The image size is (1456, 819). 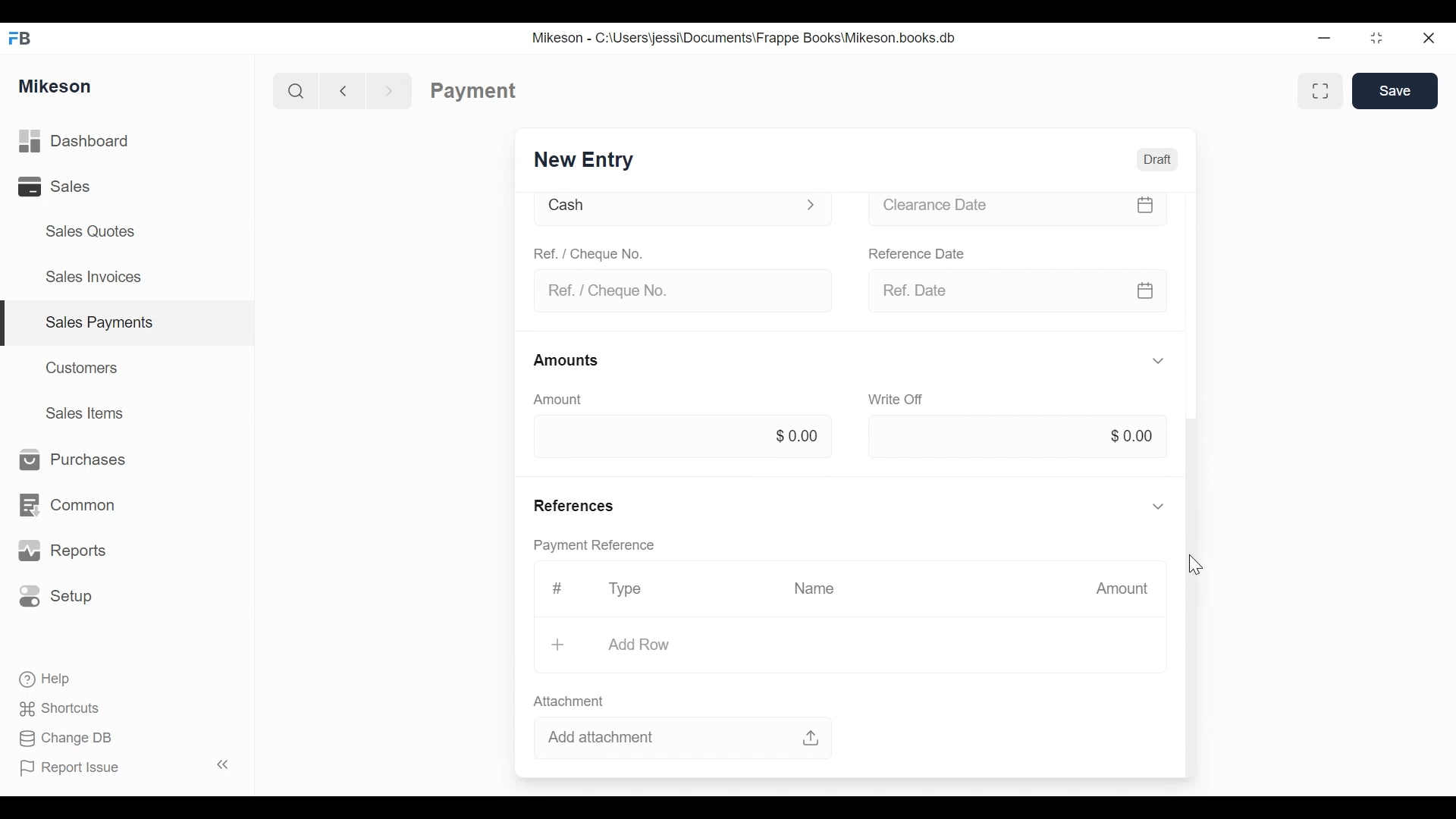 I want to click on Type, so click(x=623, y=588).